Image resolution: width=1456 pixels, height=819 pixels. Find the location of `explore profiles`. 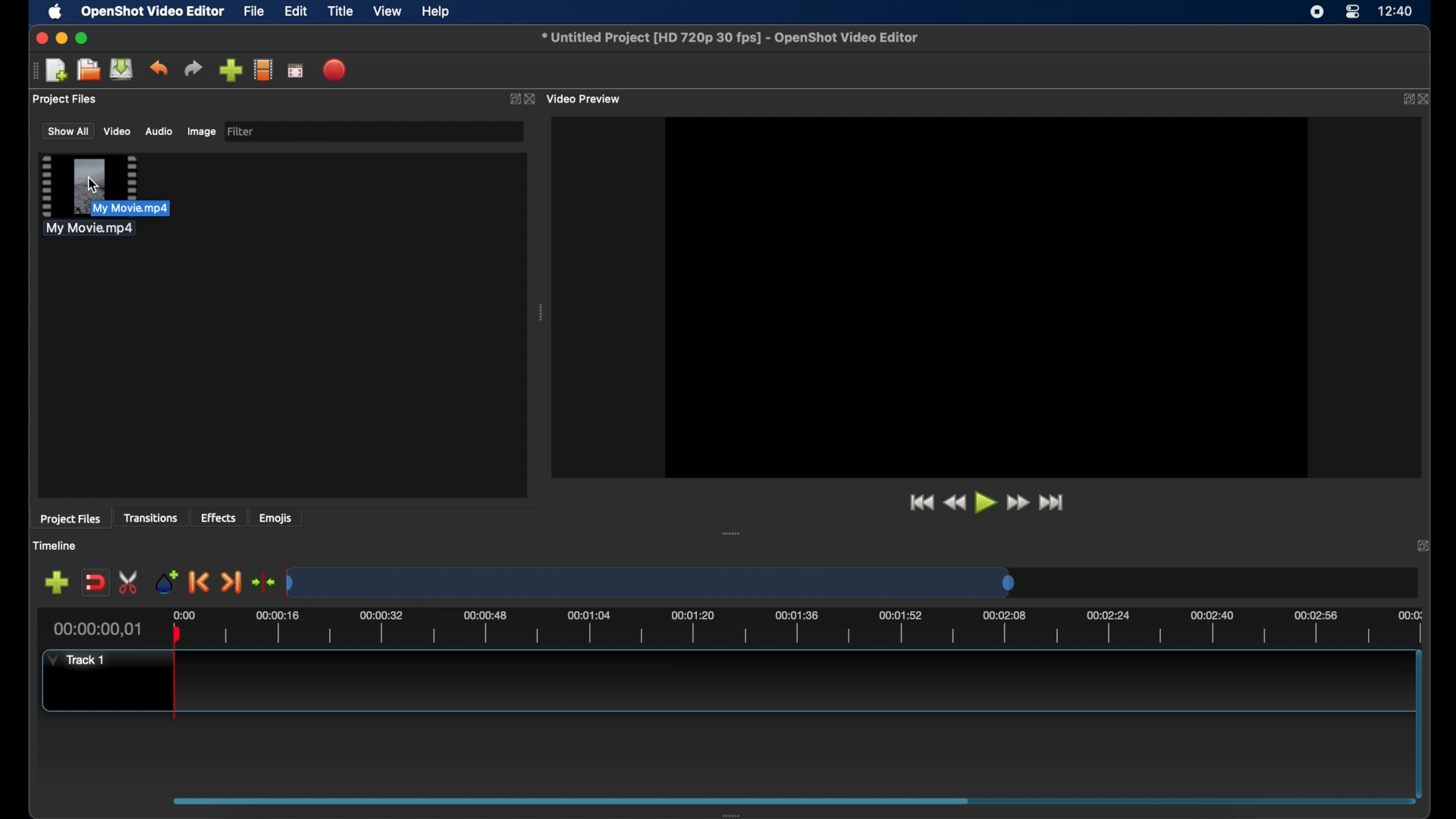

explore profiles is located at coordinates (262, 69).